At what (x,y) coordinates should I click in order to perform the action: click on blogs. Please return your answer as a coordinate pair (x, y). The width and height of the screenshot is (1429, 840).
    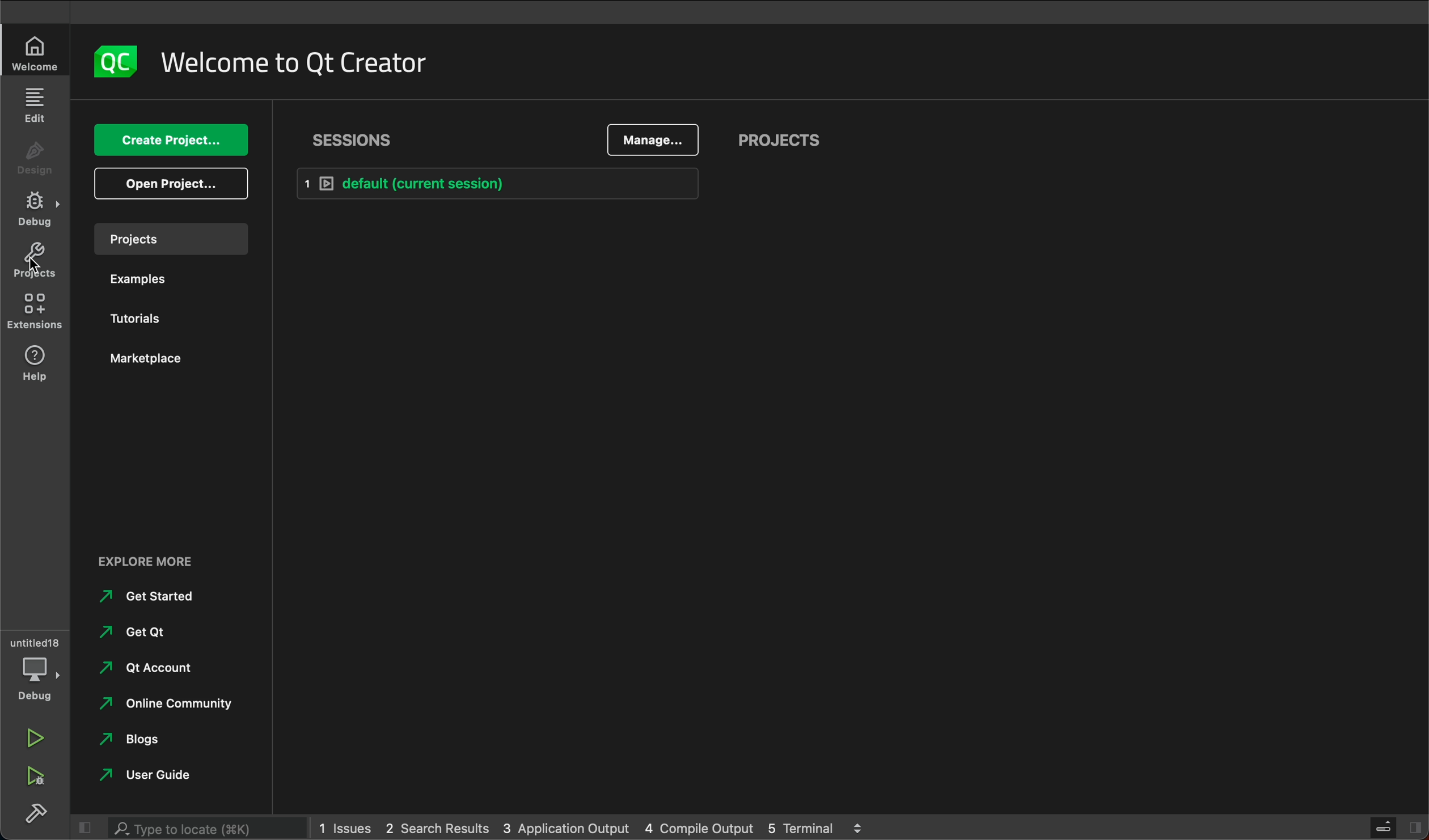
    Looking at the image, I should click on (142, 739).